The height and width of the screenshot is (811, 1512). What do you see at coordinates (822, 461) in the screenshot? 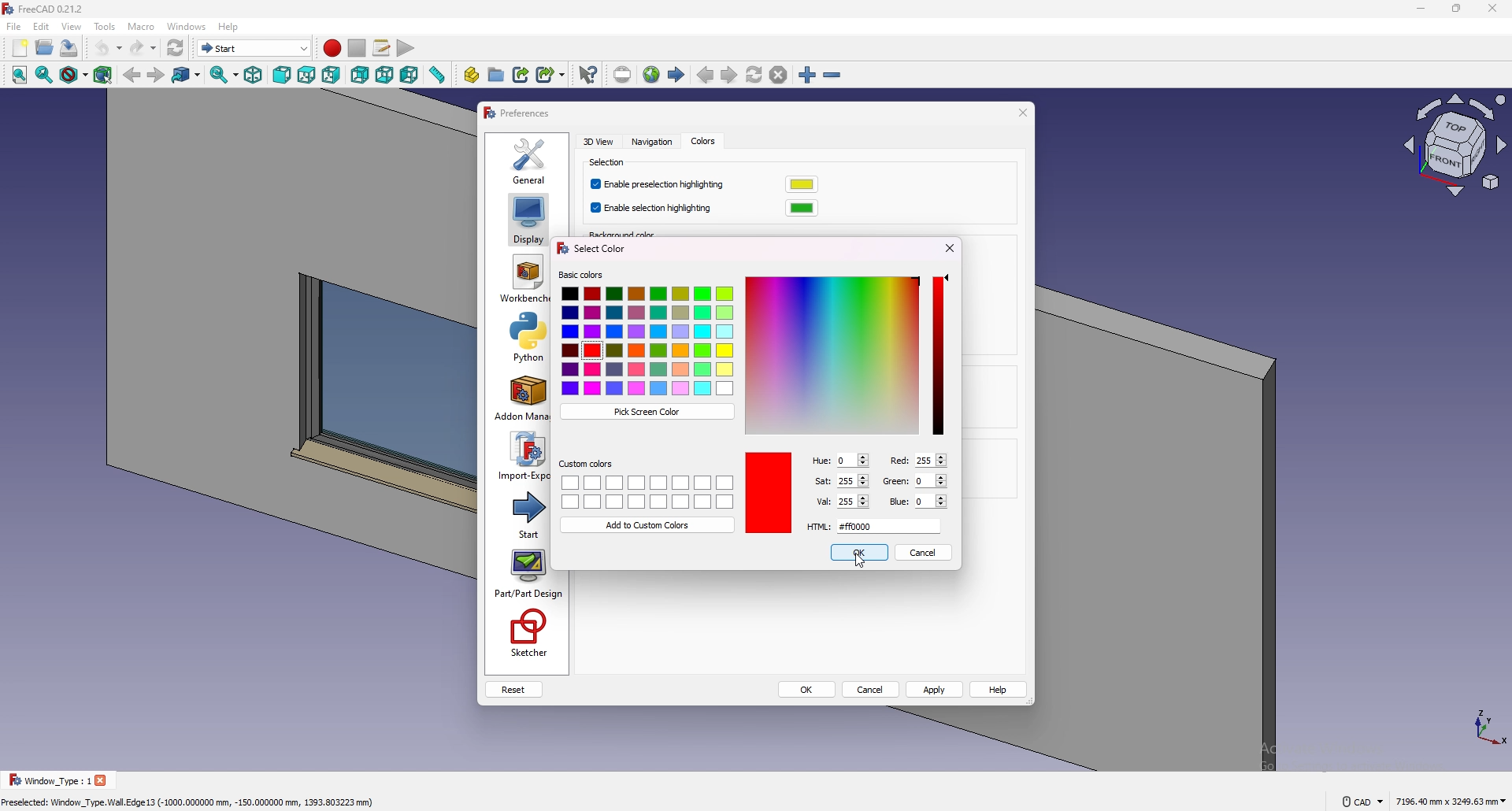
I see `Hue:` at bounding box center [822, 461].